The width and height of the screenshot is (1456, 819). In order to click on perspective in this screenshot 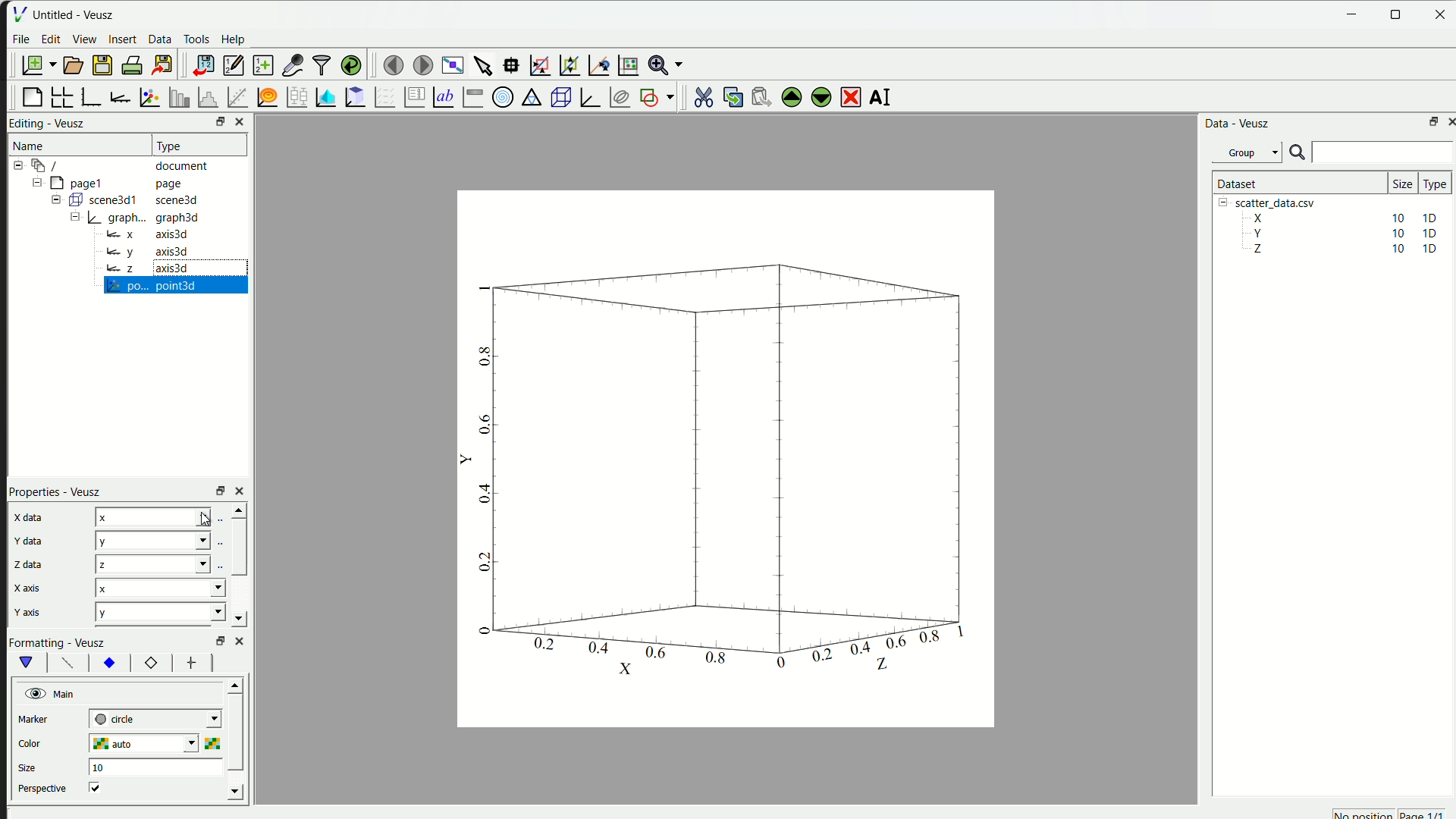, I will do `click(42, 789)`.